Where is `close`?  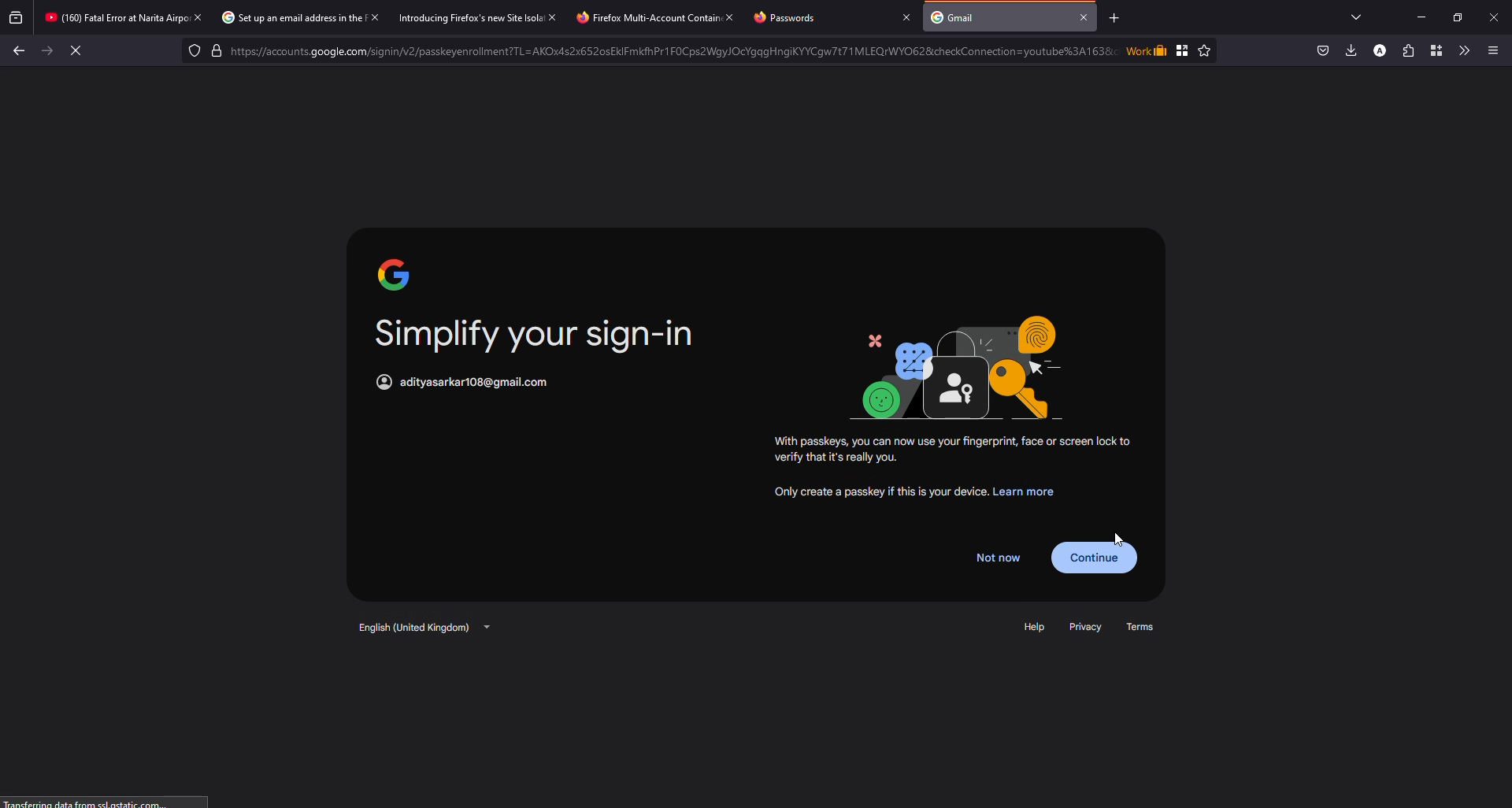 close is located at coordinates (198, 17).